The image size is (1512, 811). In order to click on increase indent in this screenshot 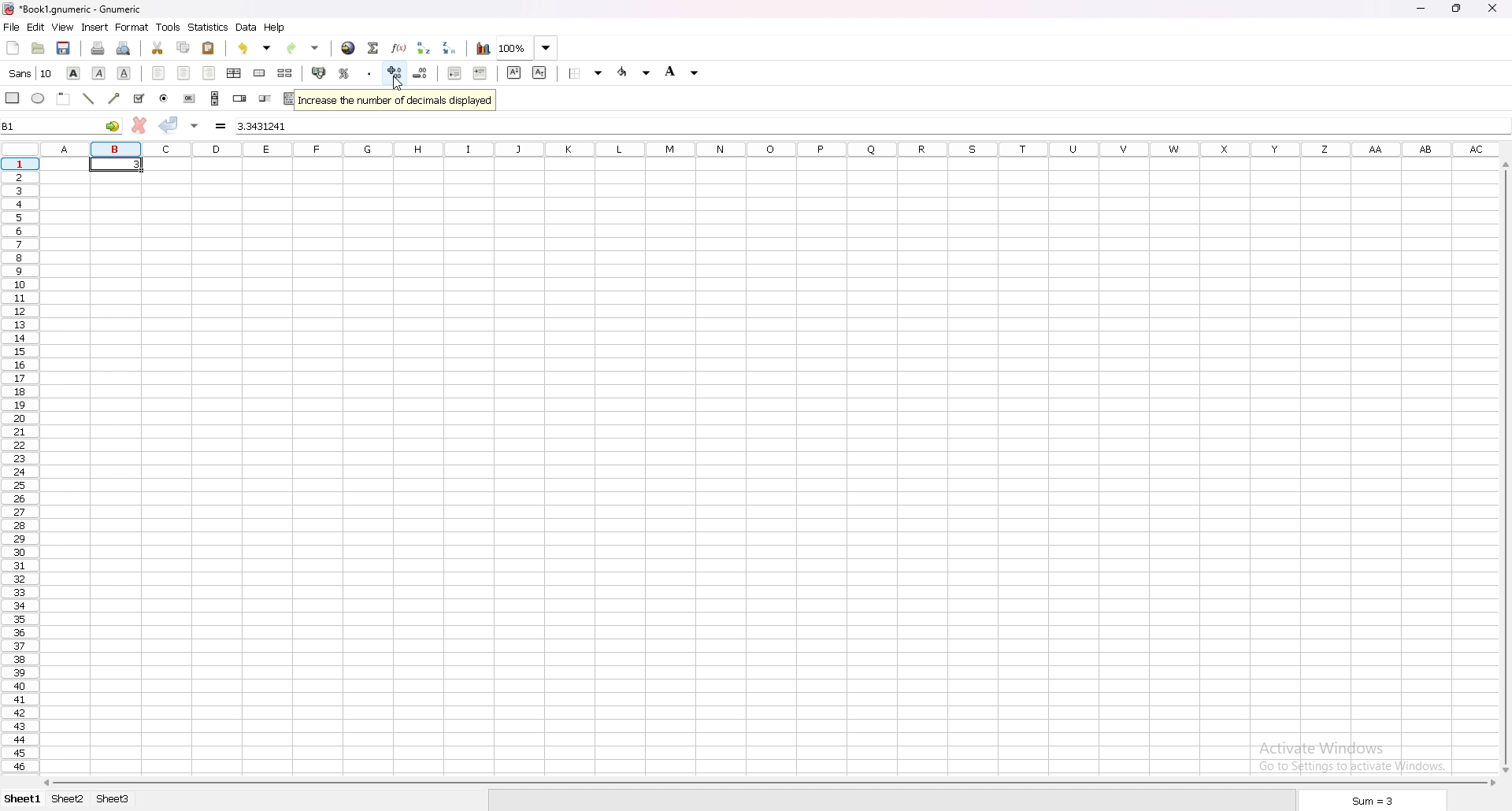, I will do `click(480, 74)`.